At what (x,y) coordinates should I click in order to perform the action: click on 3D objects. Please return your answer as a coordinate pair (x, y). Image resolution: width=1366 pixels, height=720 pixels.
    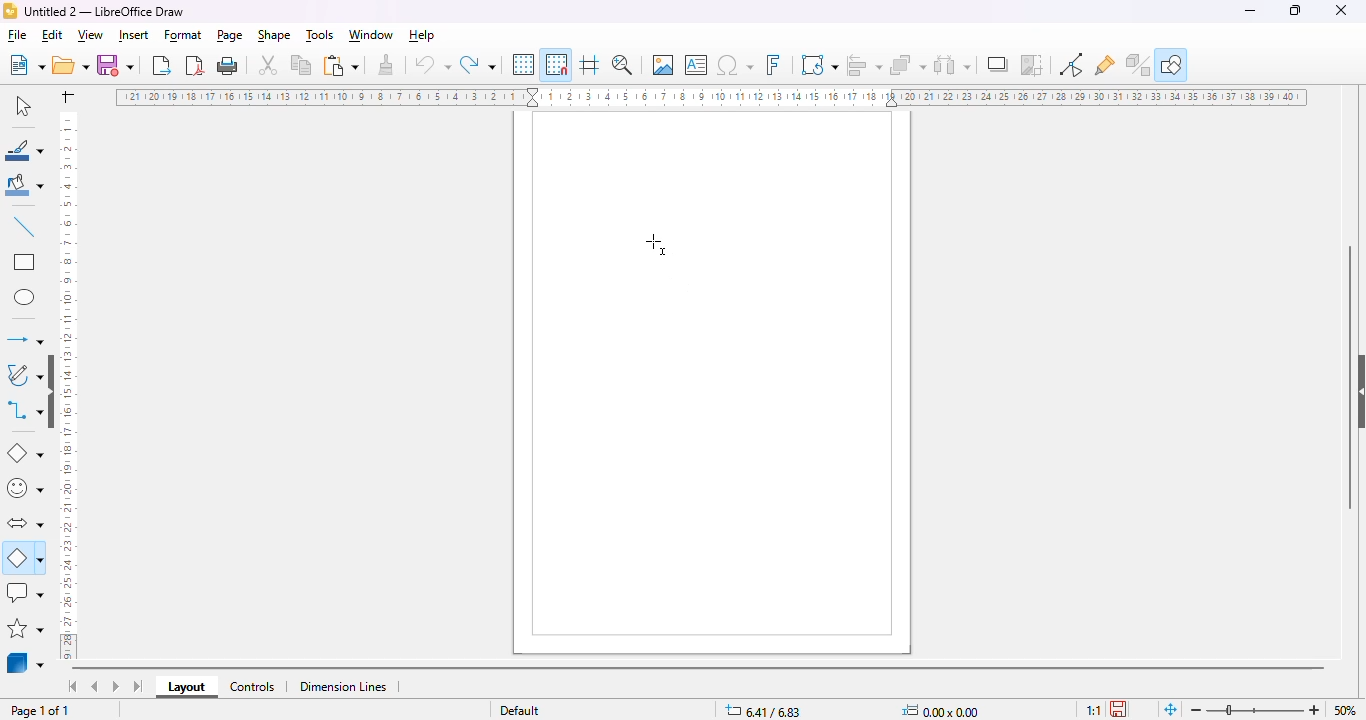
    Looking at the image, I should click on (26, 663).